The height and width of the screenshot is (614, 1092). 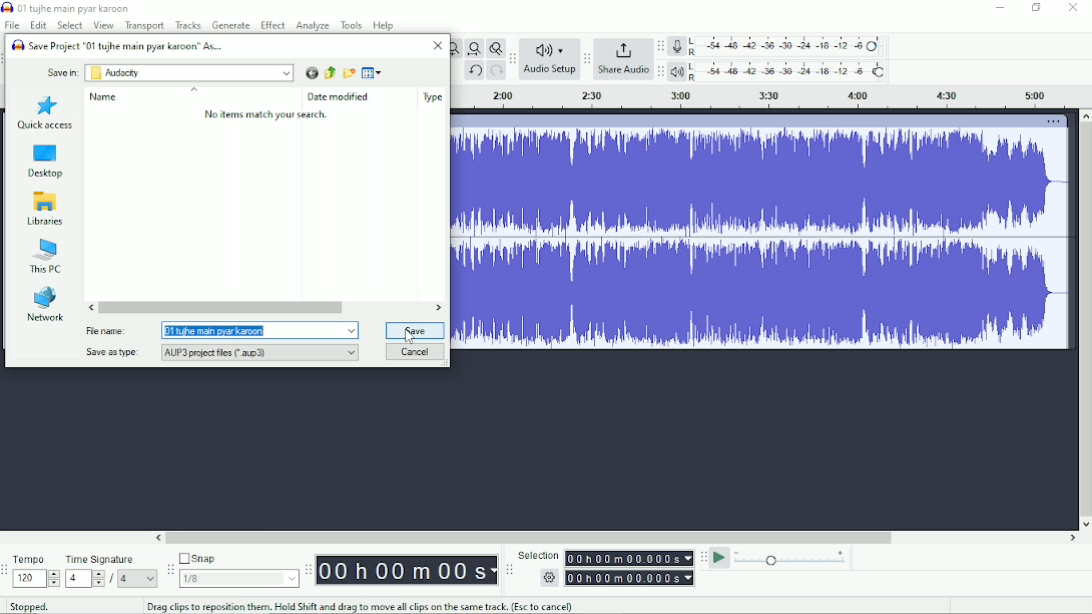 I want to click on Audacity time signature toolbar, so click(x=7, y=570).